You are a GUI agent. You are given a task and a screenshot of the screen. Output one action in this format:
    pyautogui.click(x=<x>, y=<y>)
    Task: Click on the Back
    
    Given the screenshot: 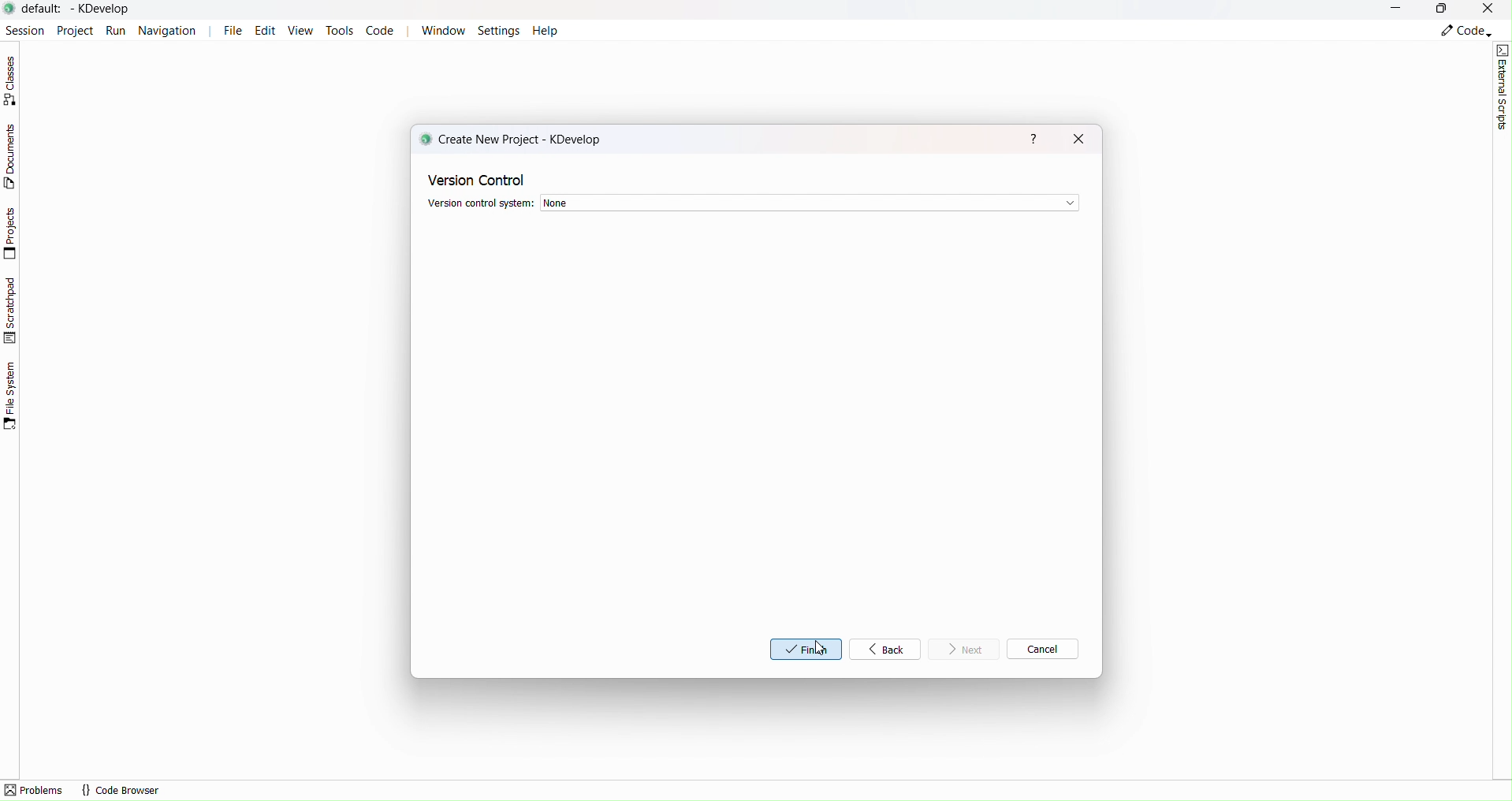 What is the action you would take?
    pyautogui.click(x=891, y=648)
    